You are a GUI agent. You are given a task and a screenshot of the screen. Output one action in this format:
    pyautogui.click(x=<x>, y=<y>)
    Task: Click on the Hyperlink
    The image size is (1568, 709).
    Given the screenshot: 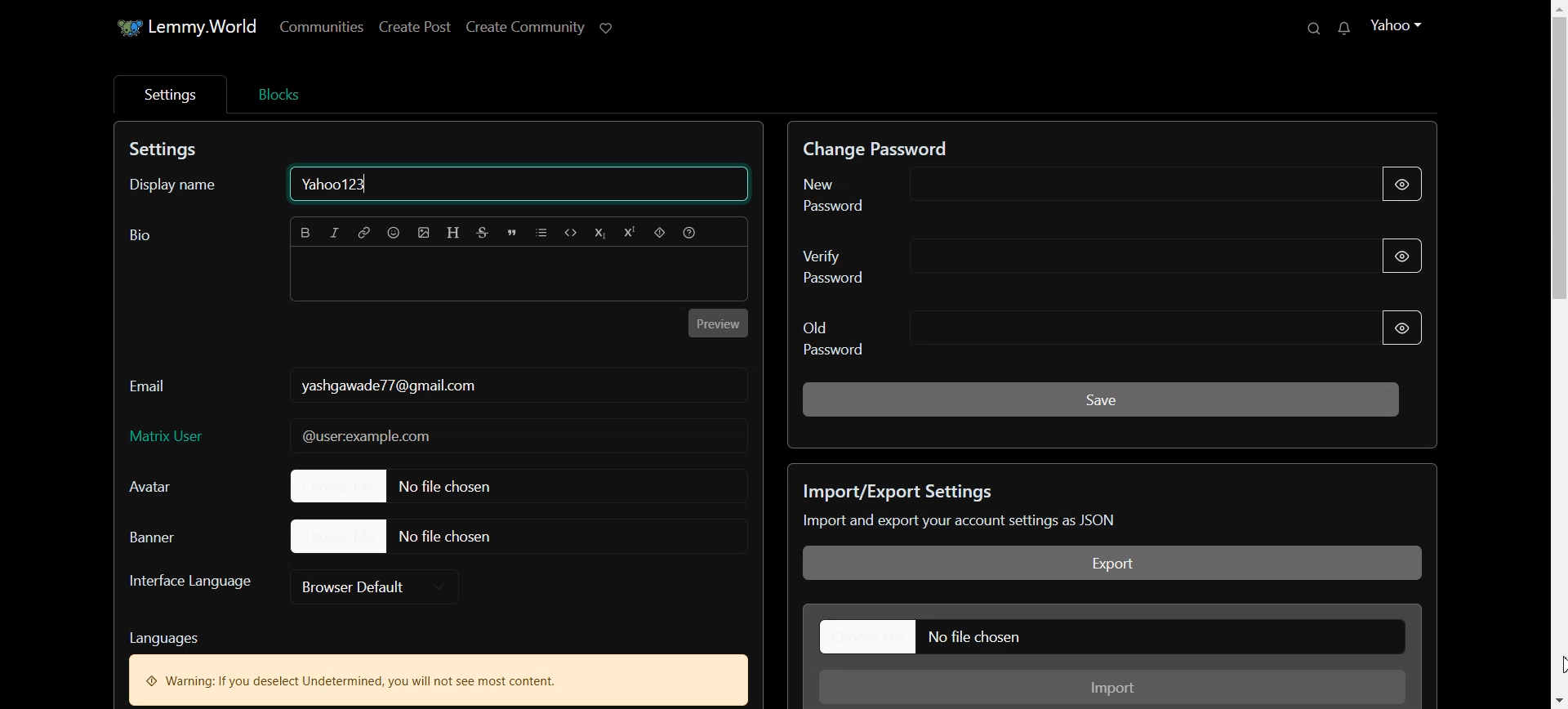 What is the action you would take?
    pyautogui.click(x=364, y=234)
    